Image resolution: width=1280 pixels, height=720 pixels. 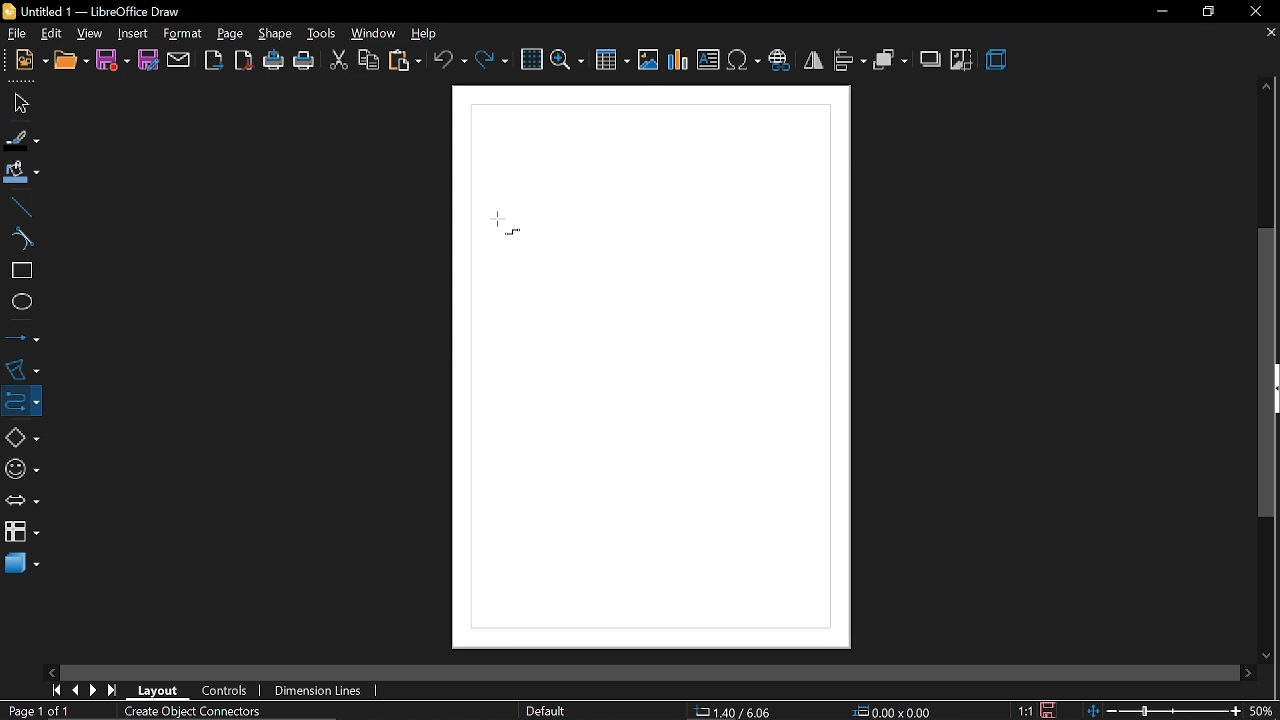 I want to click on next page, so click(x=93, y=690).